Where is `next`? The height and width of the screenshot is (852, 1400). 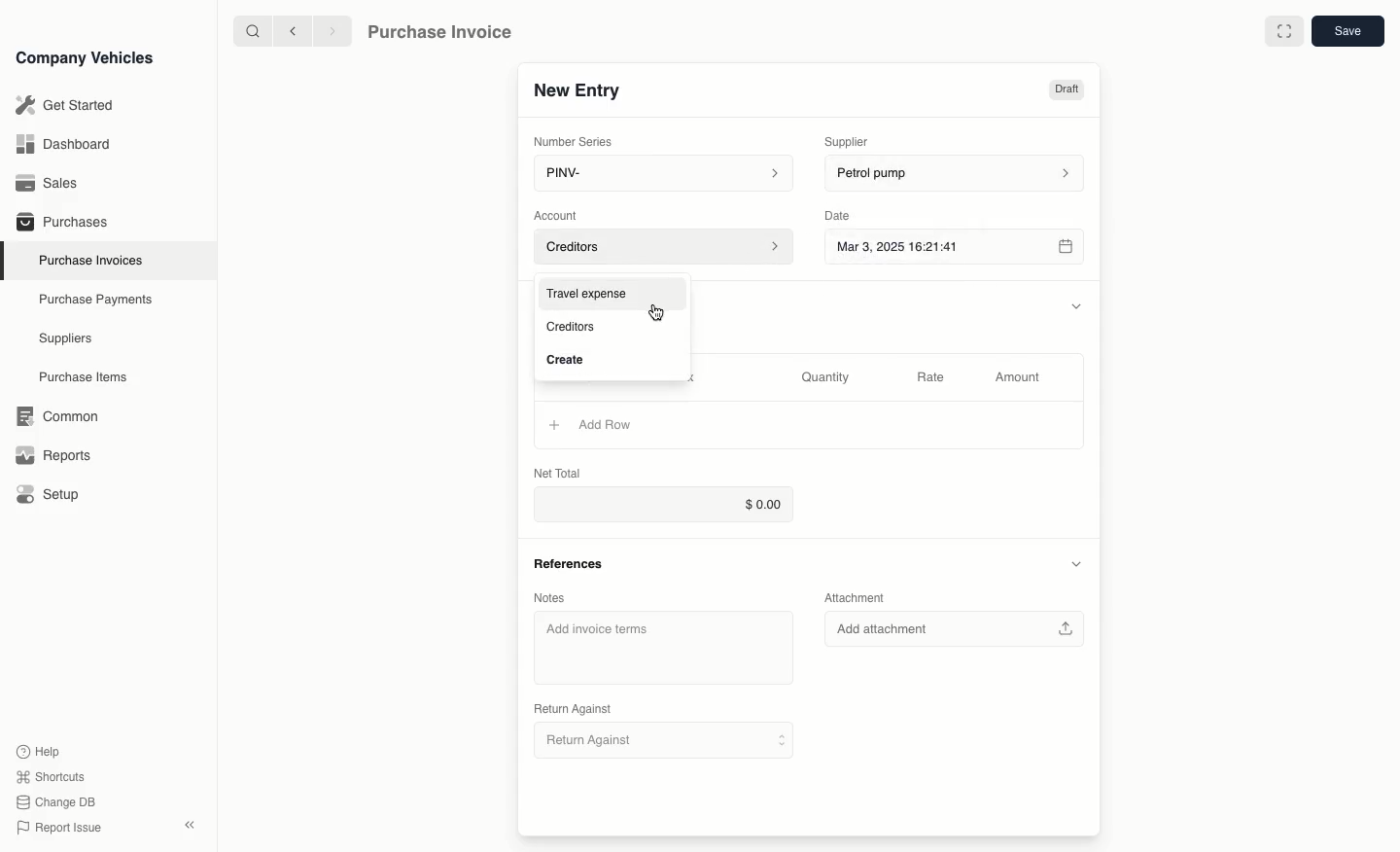 next is located at coordinates (332, 30).